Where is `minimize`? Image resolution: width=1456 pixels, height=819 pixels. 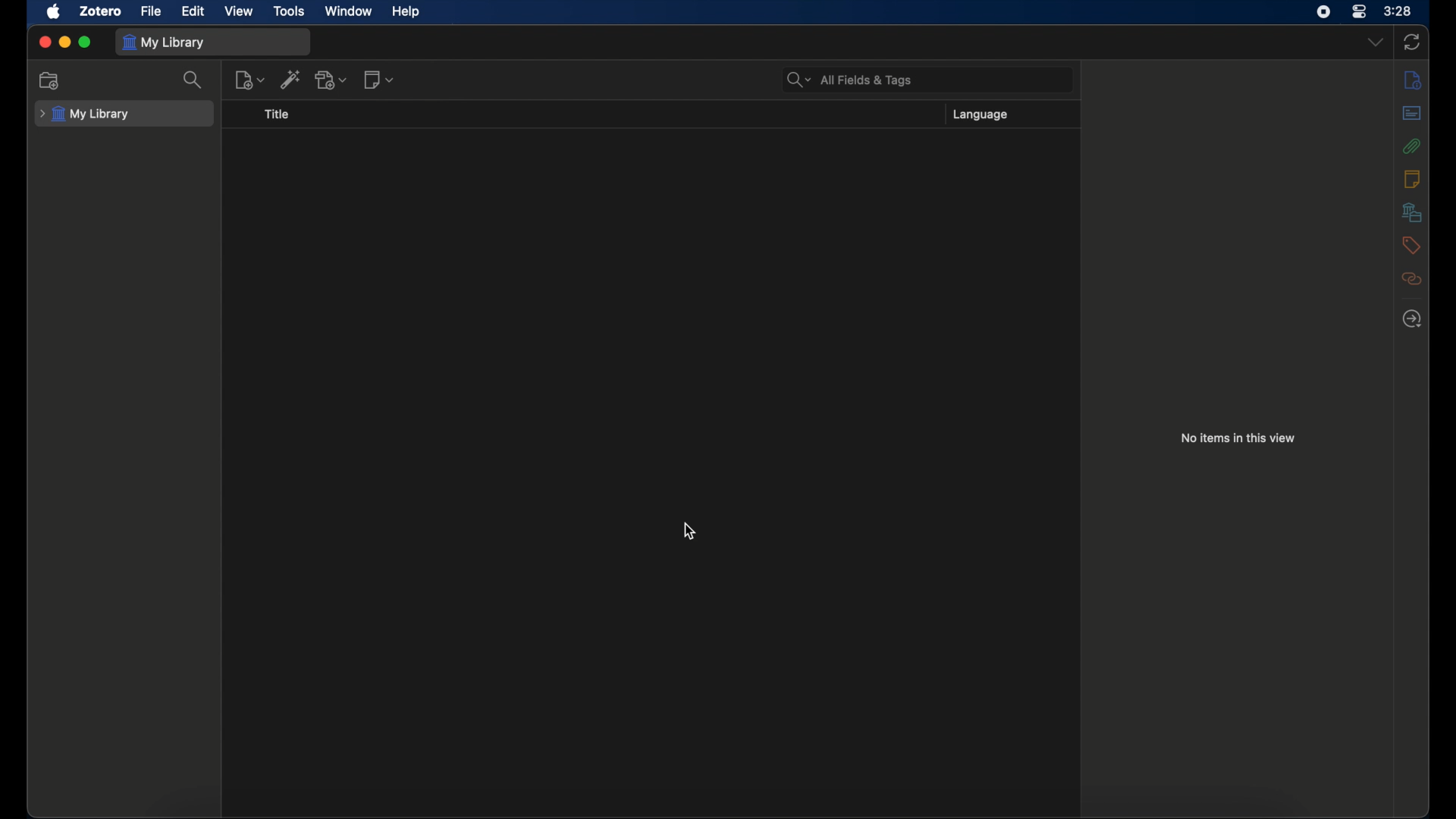
minimize is located at coordinates (65, 42).